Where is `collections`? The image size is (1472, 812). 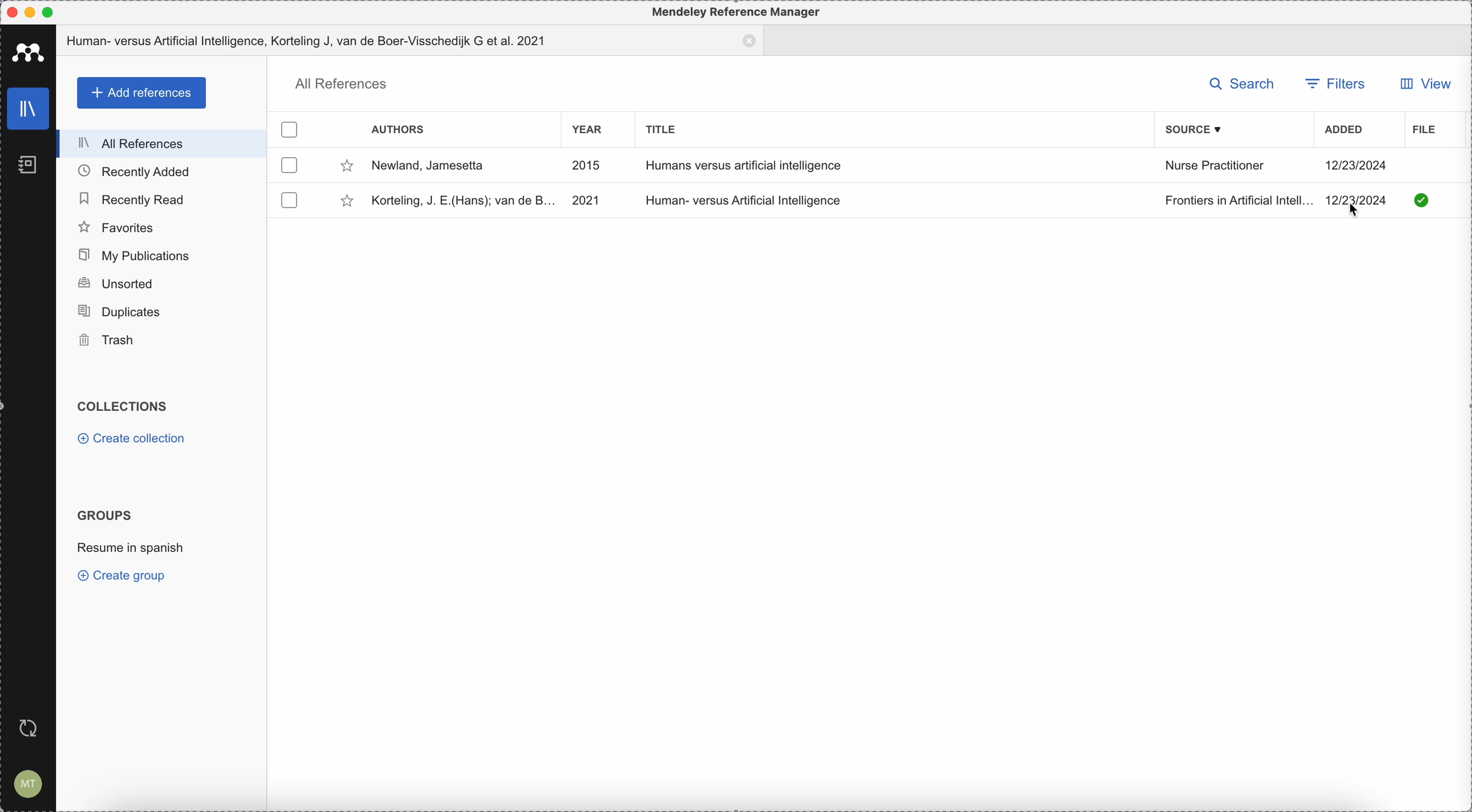 collections is located at coordinates (127, 407).